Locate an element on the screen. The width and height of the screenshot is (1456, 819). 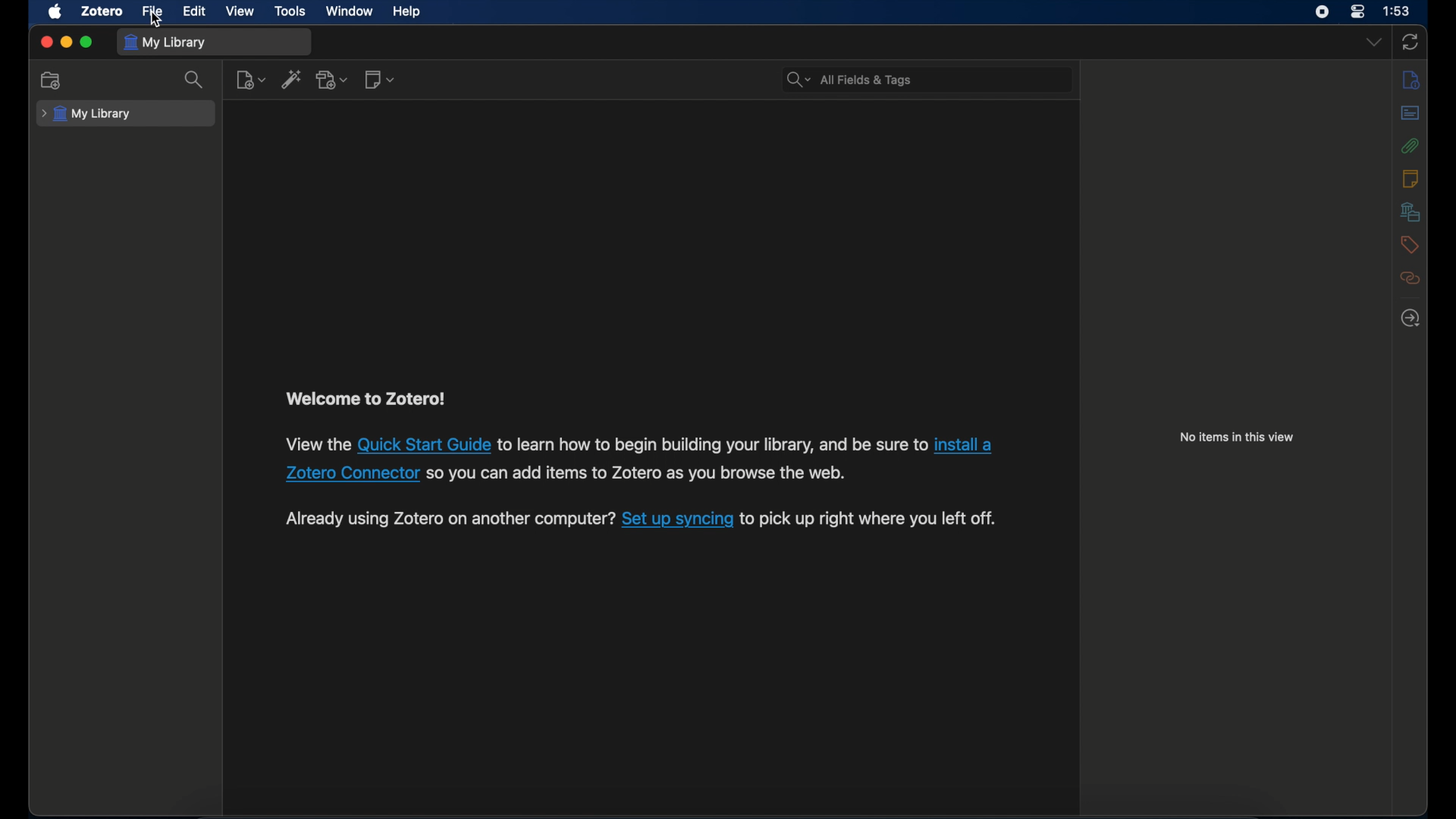
tags is located at coordinates (1410, 243).